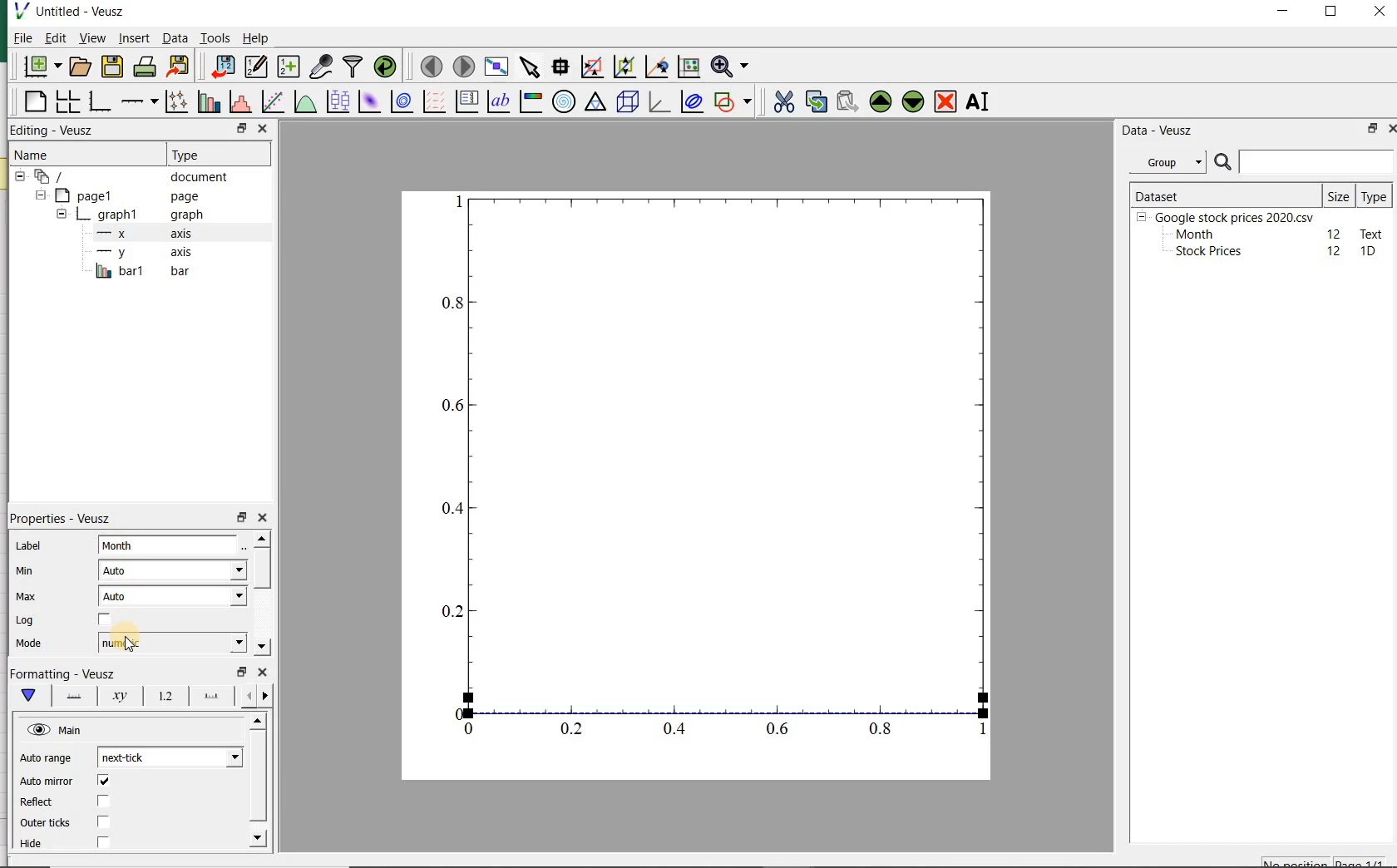 The height and width of the screenshot is (868, 1397). I want to click on check/uncheck, so click(102, 843).